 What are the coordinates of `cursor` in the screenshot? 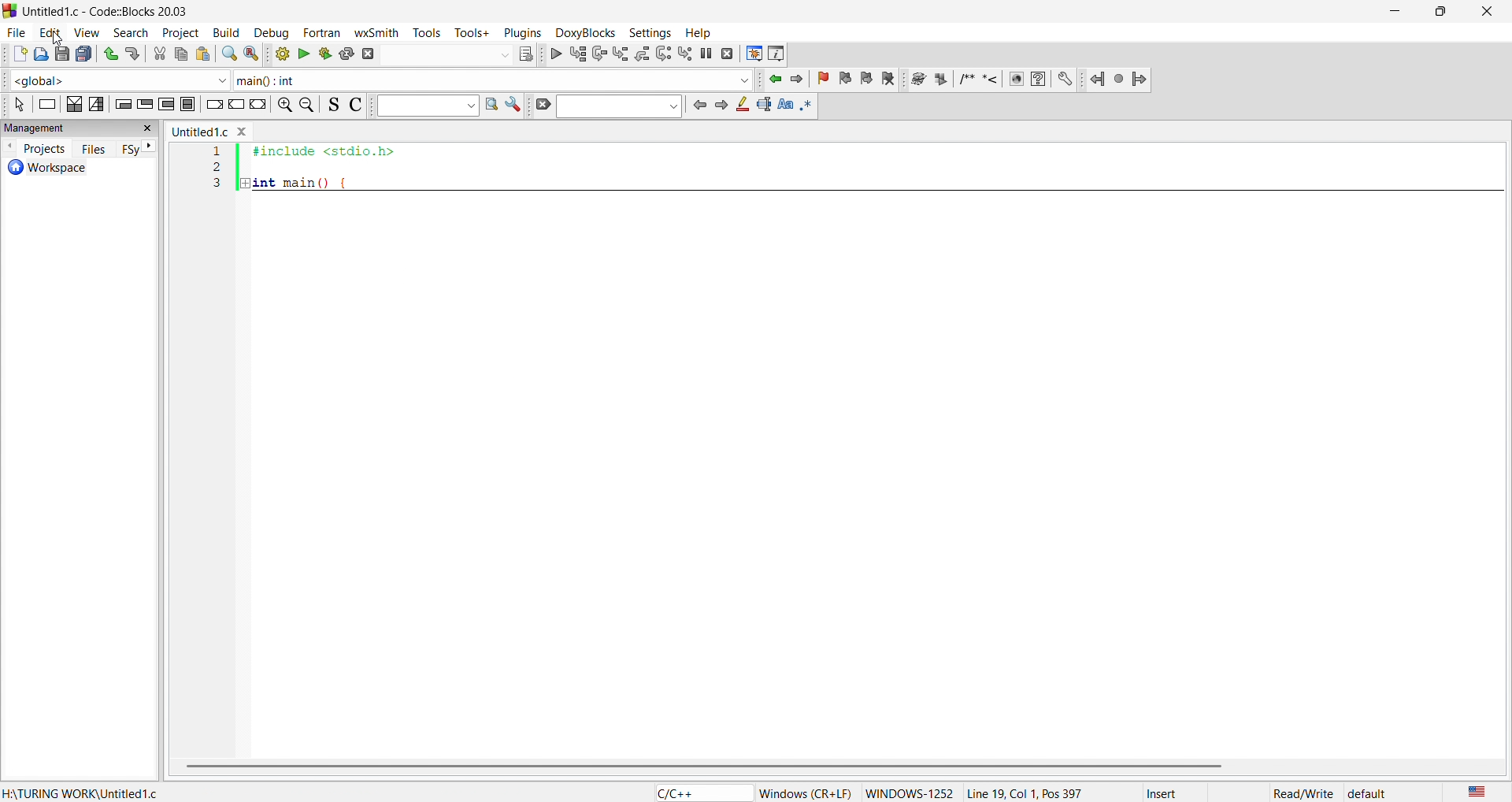 It's located at (58, 38).